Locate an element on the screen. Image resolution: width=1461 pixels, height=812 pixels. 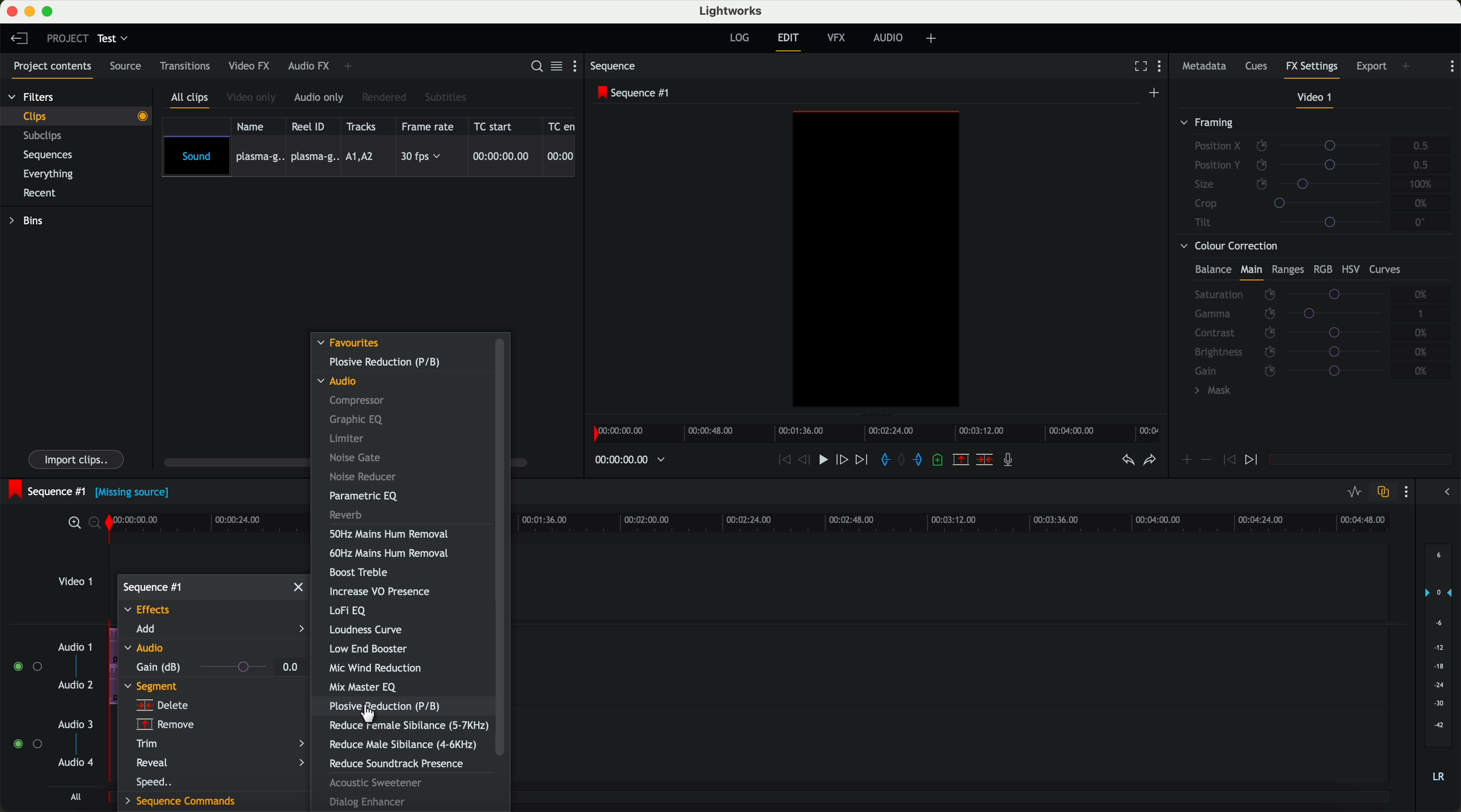
show settings menu is located at coordinates (1409, 493).